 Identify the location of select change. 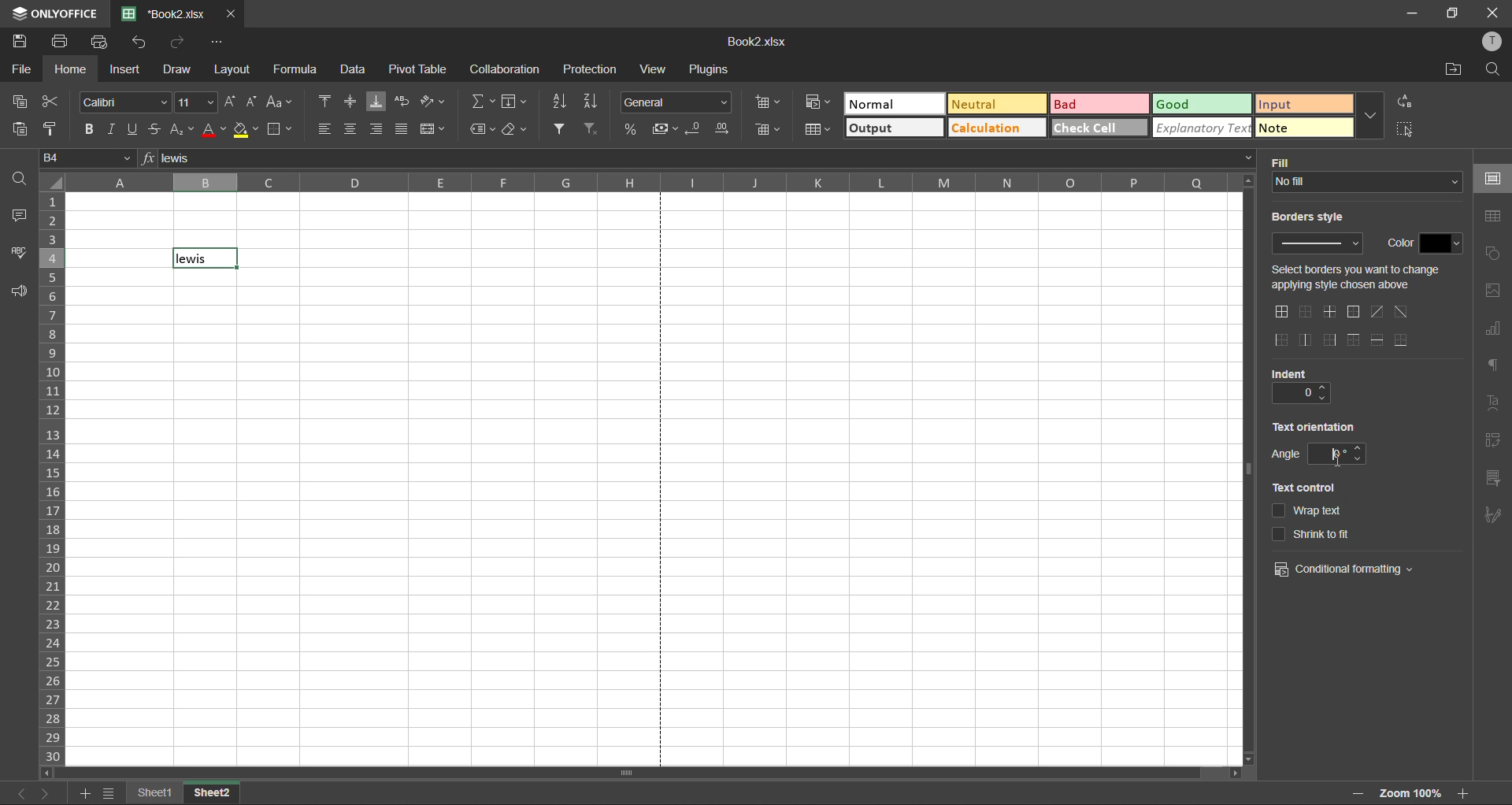
(1360, 276).